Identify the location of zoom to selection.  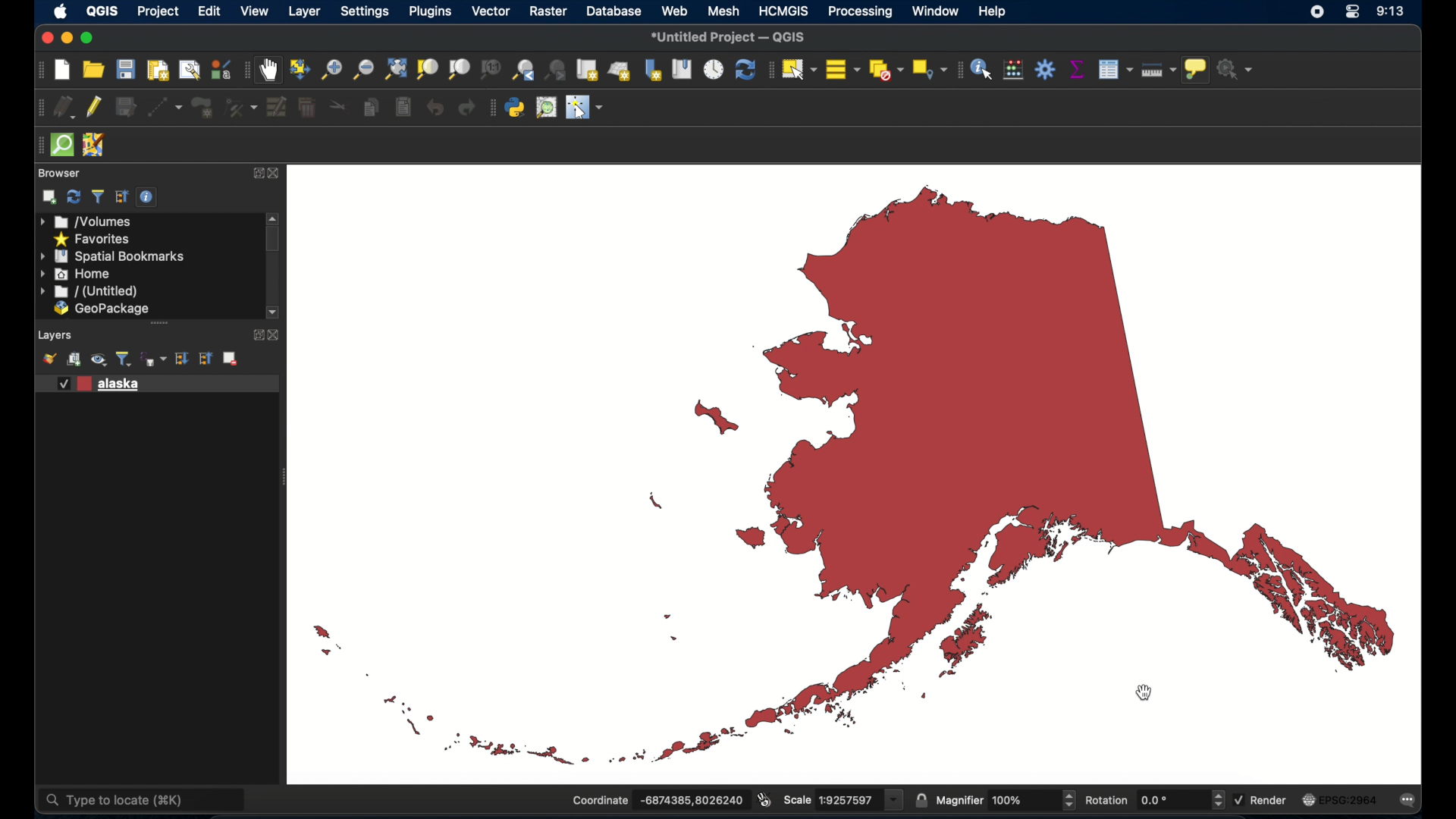
(427, 71).